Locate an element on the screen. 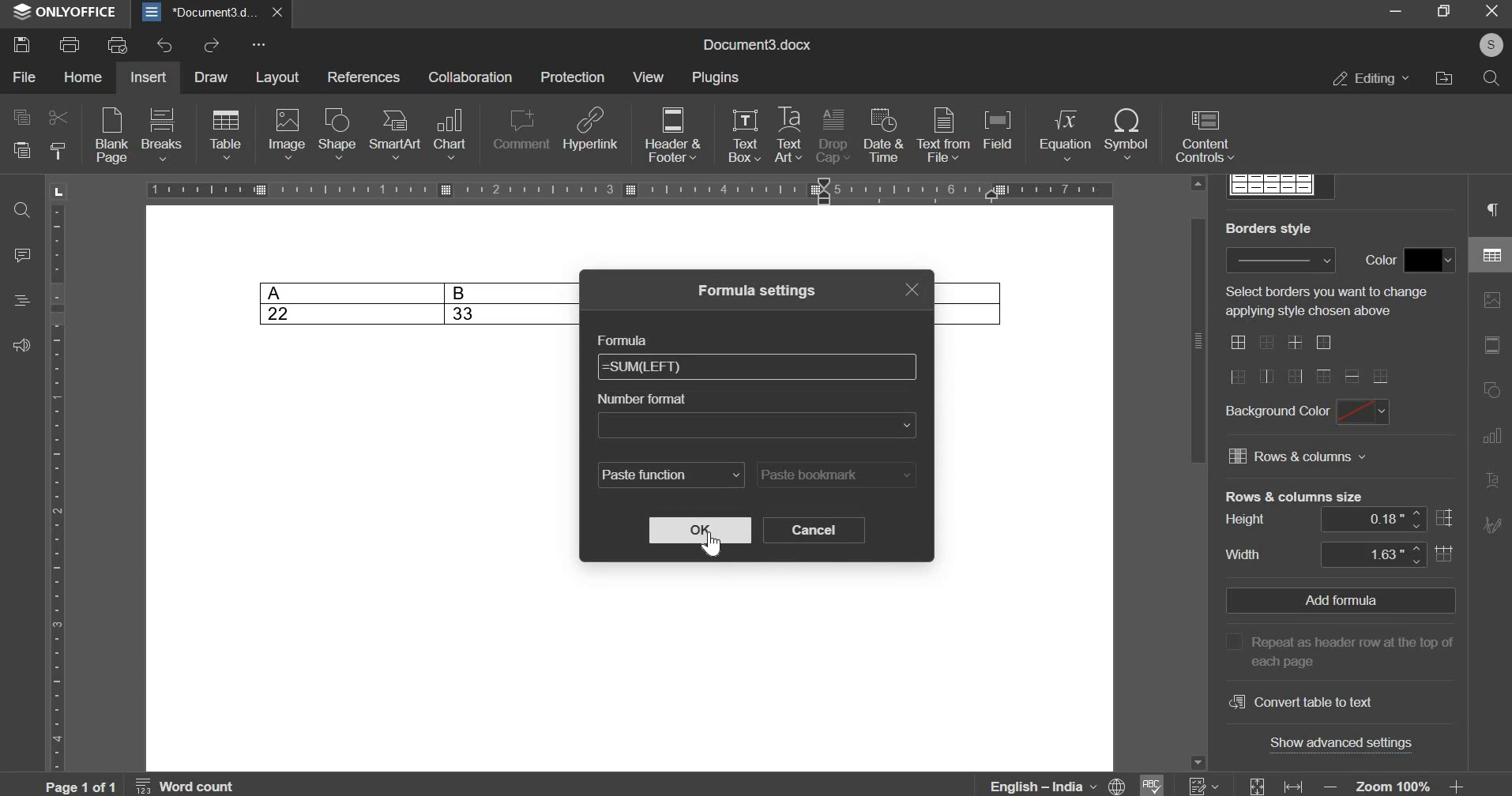  comment is located at coordinates (518, 130).